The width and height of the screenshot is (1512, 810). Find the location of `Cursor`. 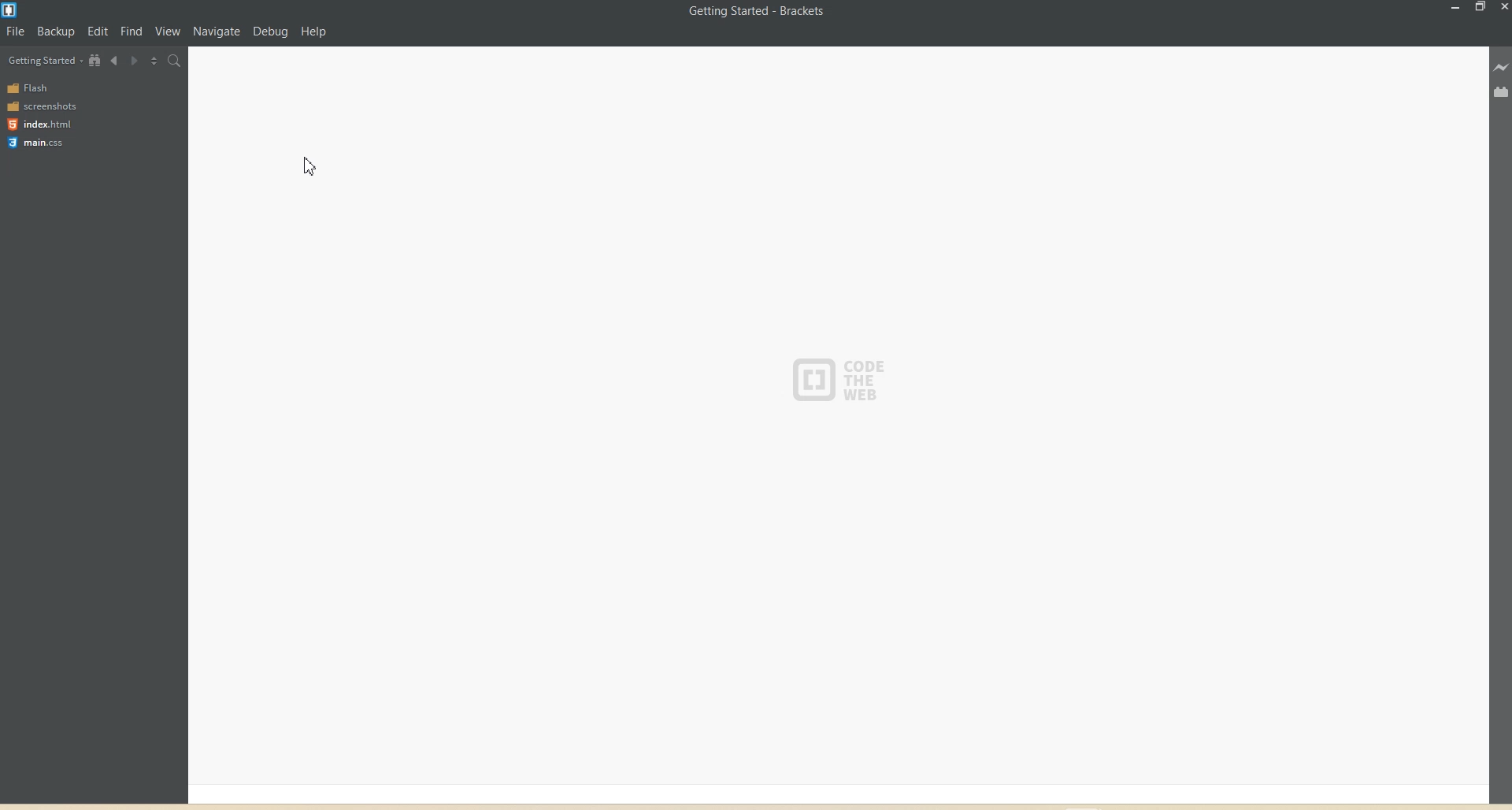

Cursor is located at coordinates (316, 165).